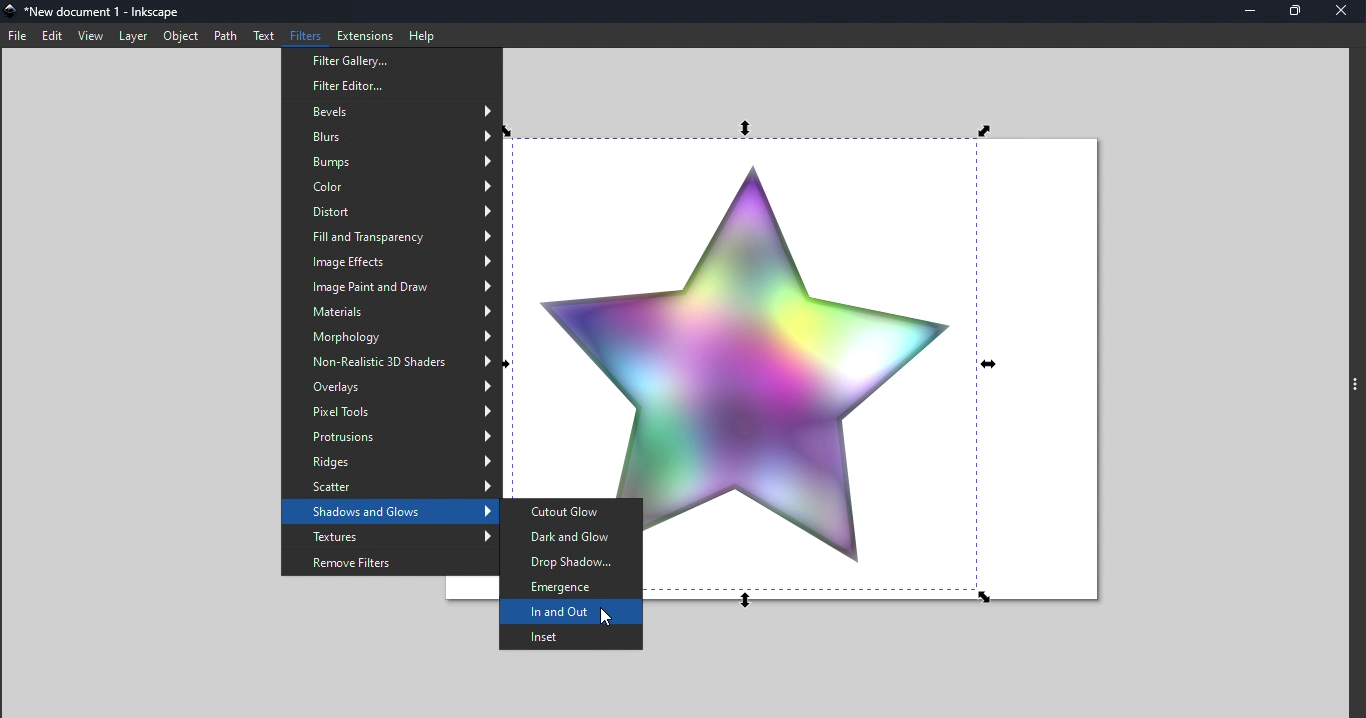 This screenshot has height=718, width=1366. I want to click on Filter editor, so click(391, 87).